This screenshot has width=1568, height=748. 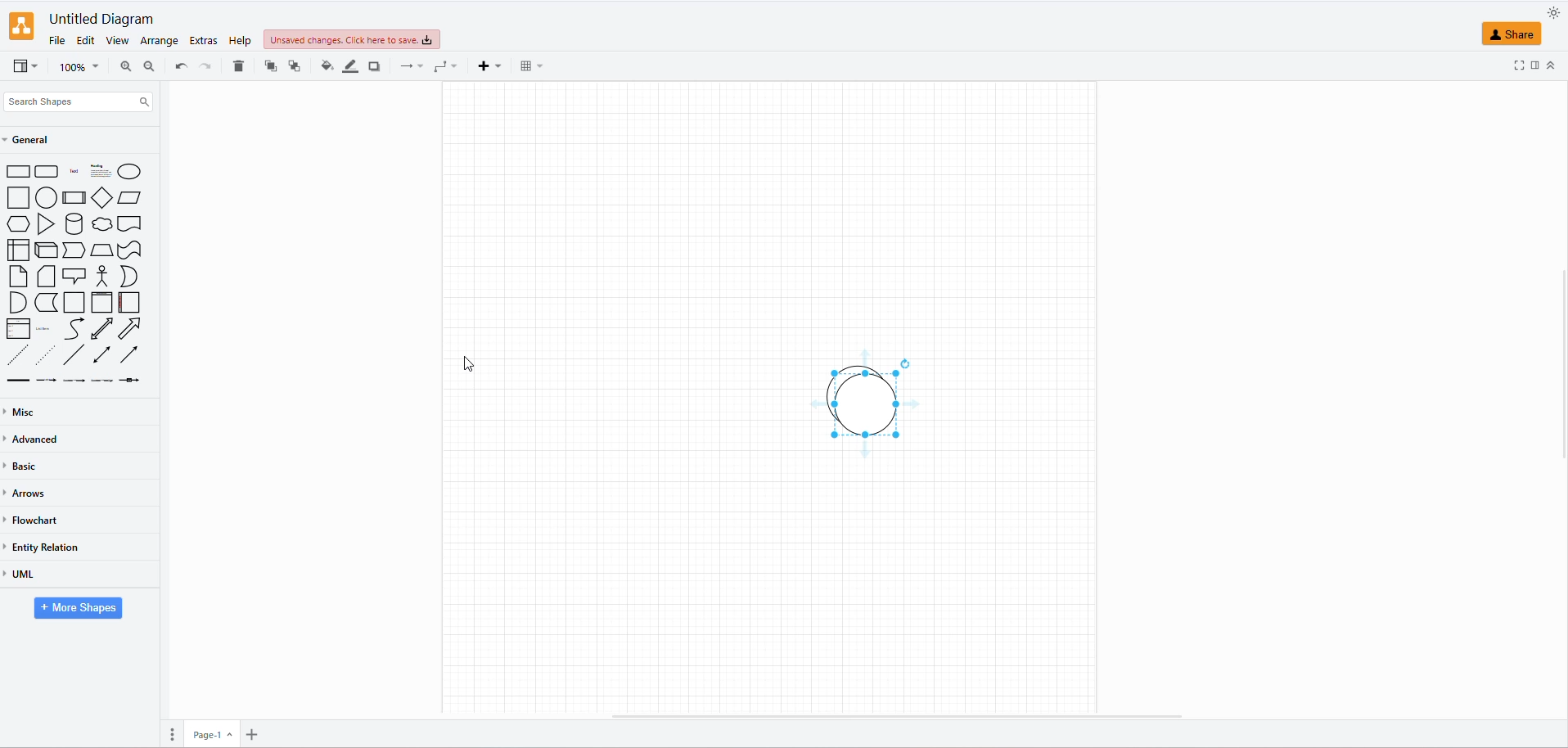 I want to click on CUBE, so click(x=44, y=247).